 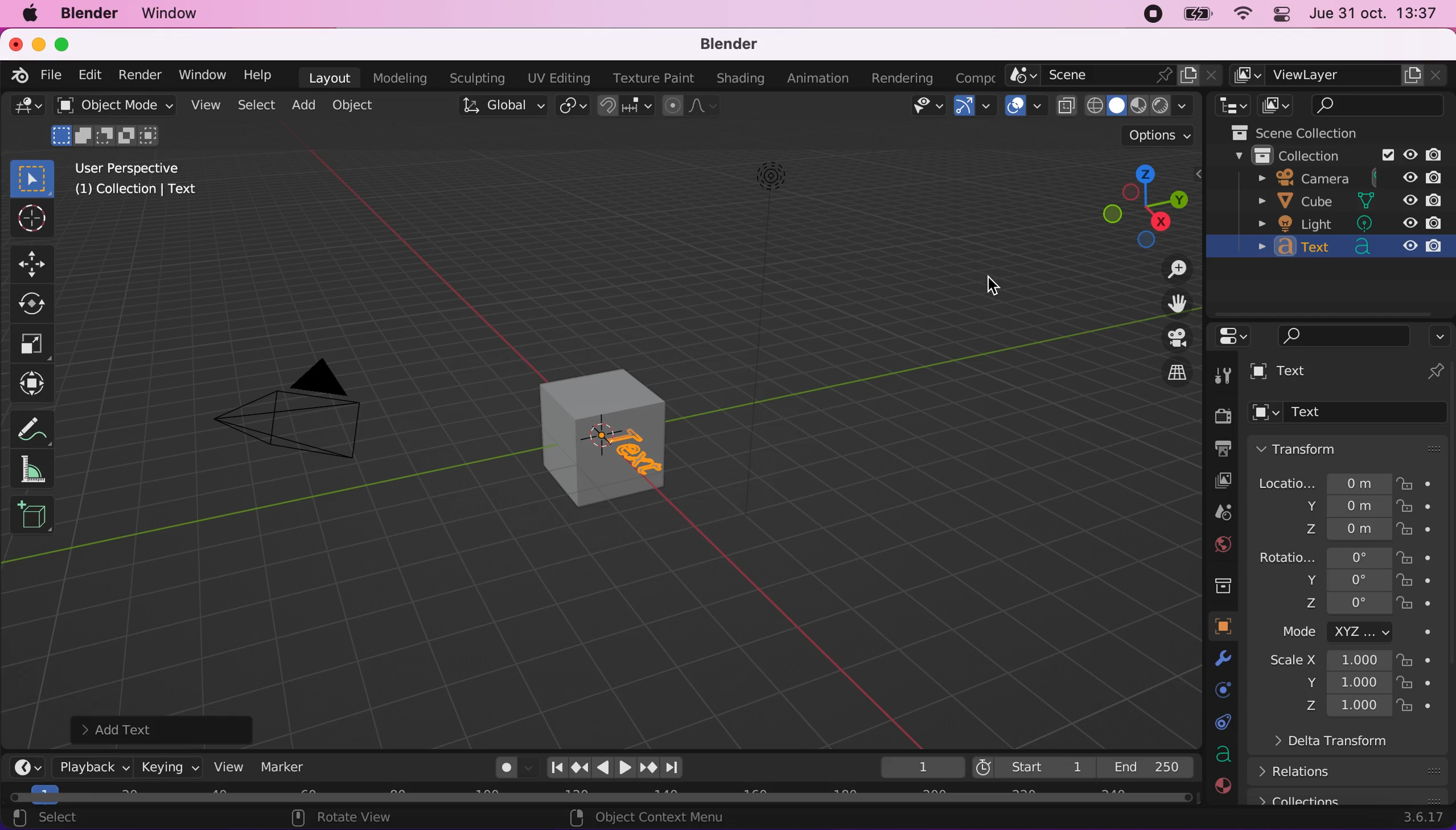 What do you see at coordinates (1234, 106) in the screenshot?
I see `editor type` at bounding box center [1234, 106].